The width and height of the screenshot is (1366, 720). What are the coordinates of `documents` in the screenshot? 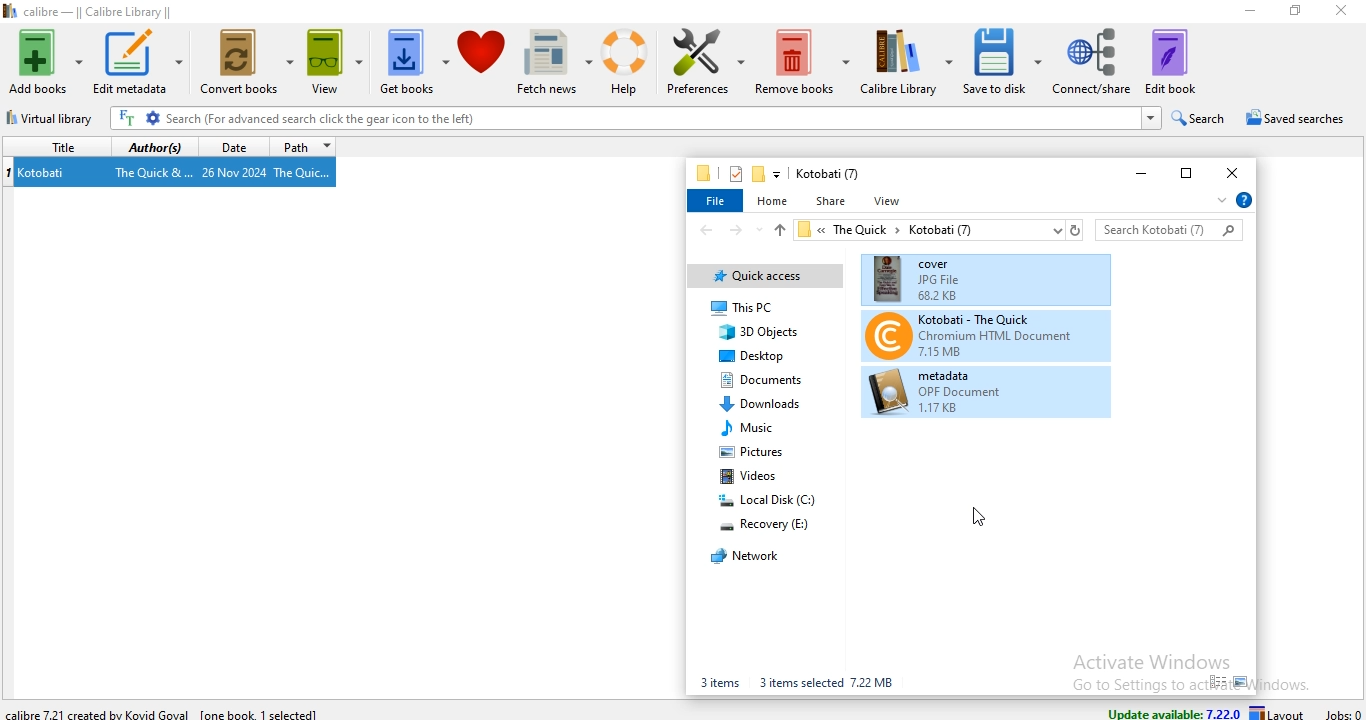 It's located at (759, 381).